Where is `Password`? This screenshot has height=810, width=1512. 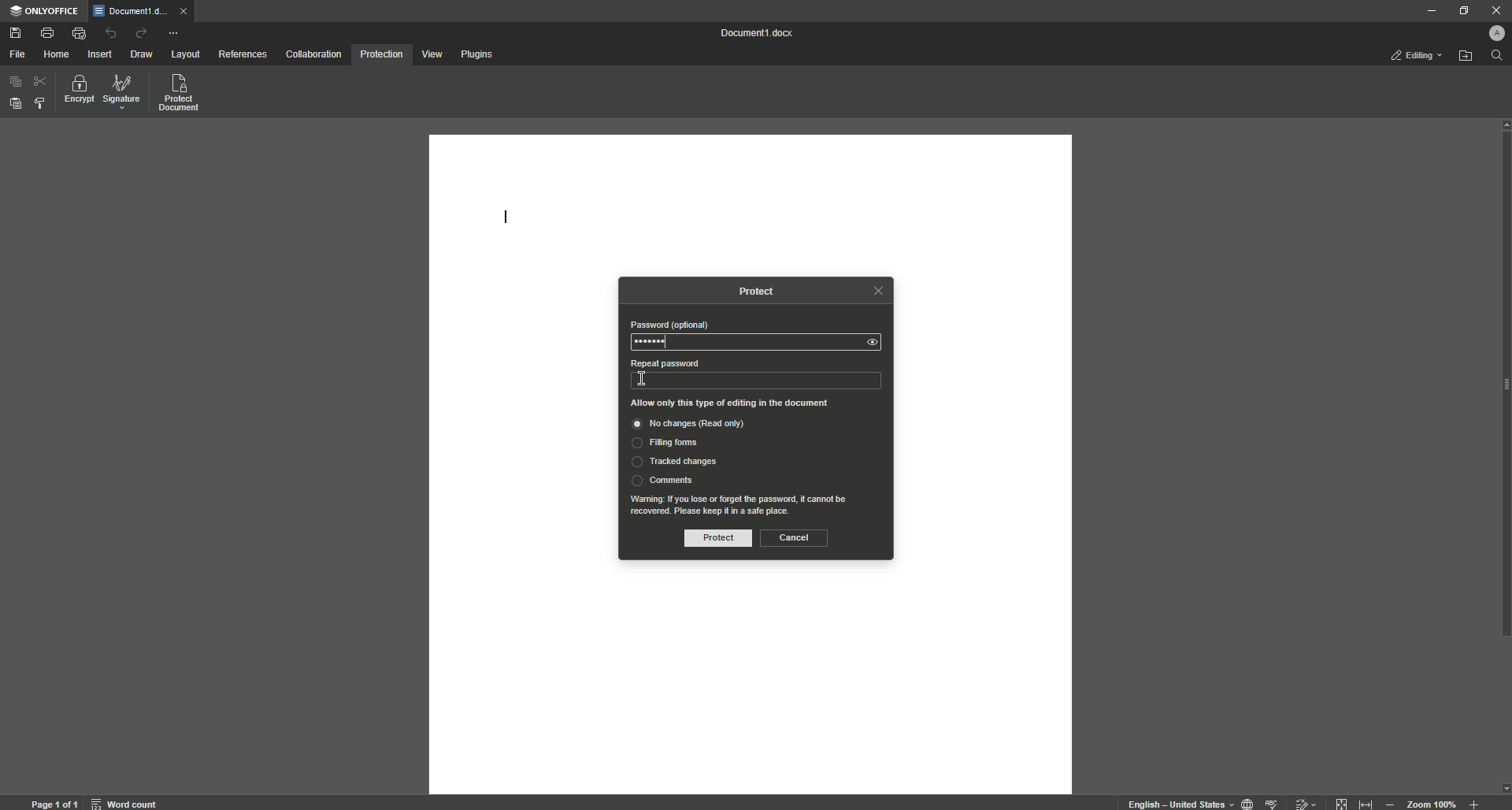
Password is located at coordinates (654, 342).